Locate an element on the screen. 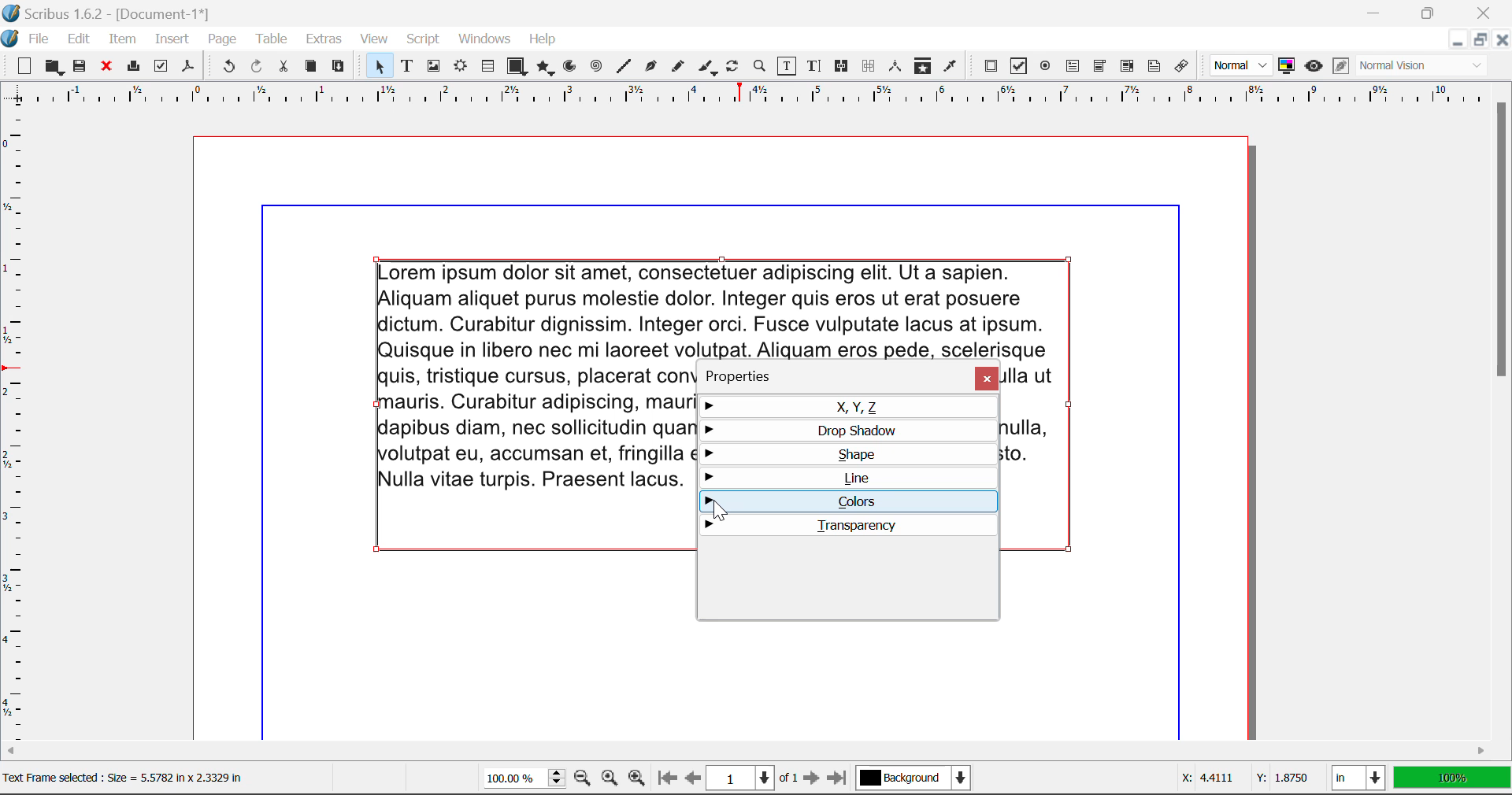 The image size is (1512, 795). Text Annotation is located at coordinates (1157, 67).